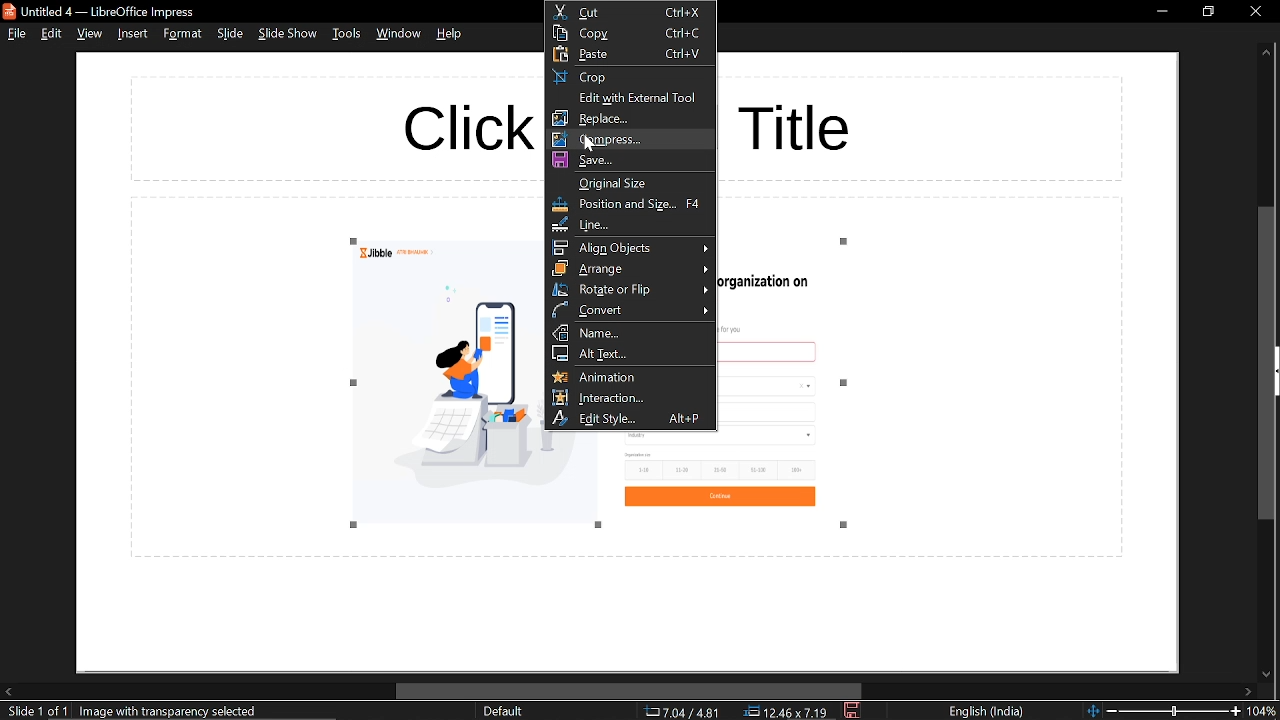  I want to click on alt+P, so click(689, 419).